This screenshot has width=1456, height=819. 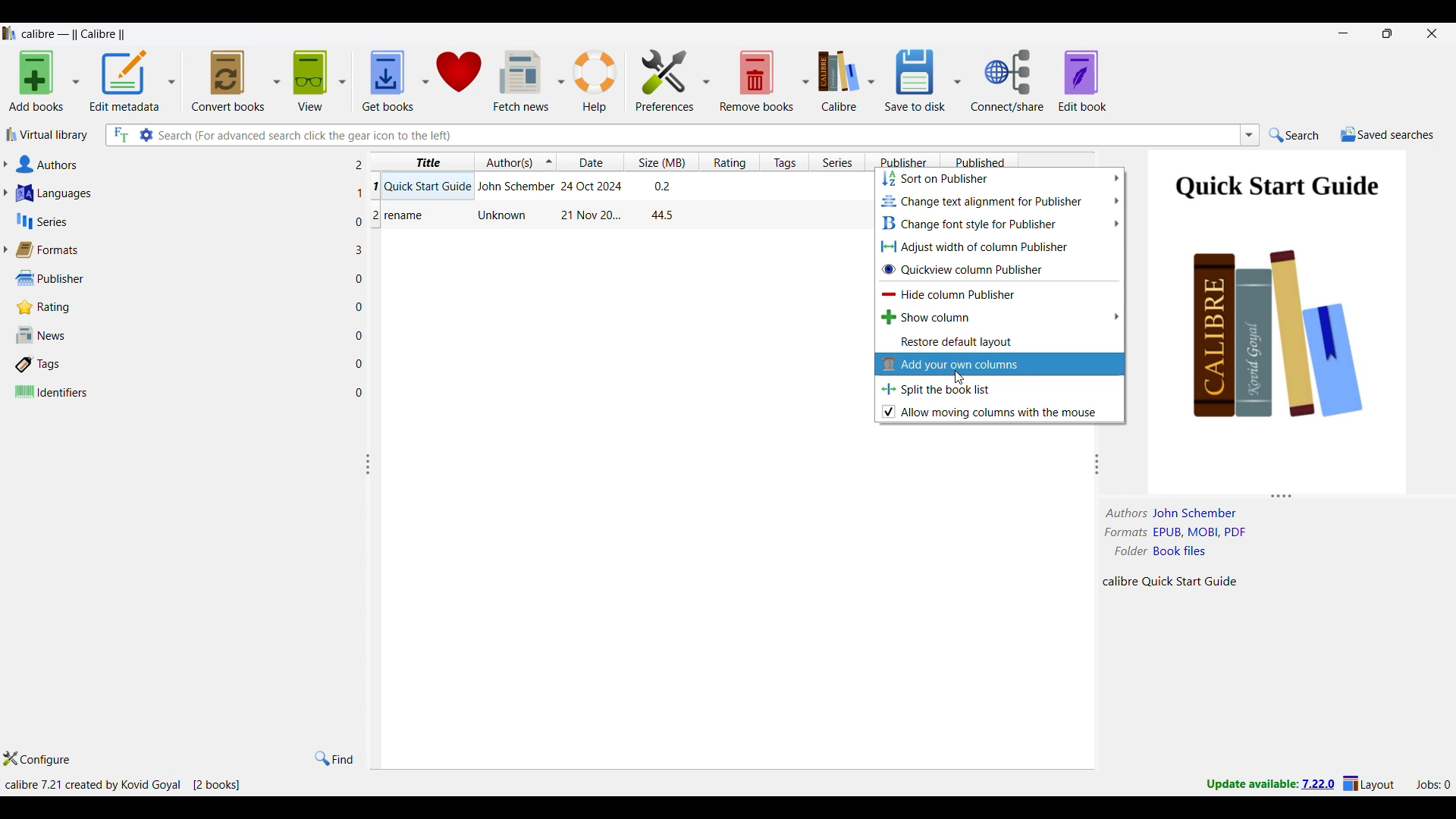 I want to click on Connect/share, so click(x=1007, y=80).